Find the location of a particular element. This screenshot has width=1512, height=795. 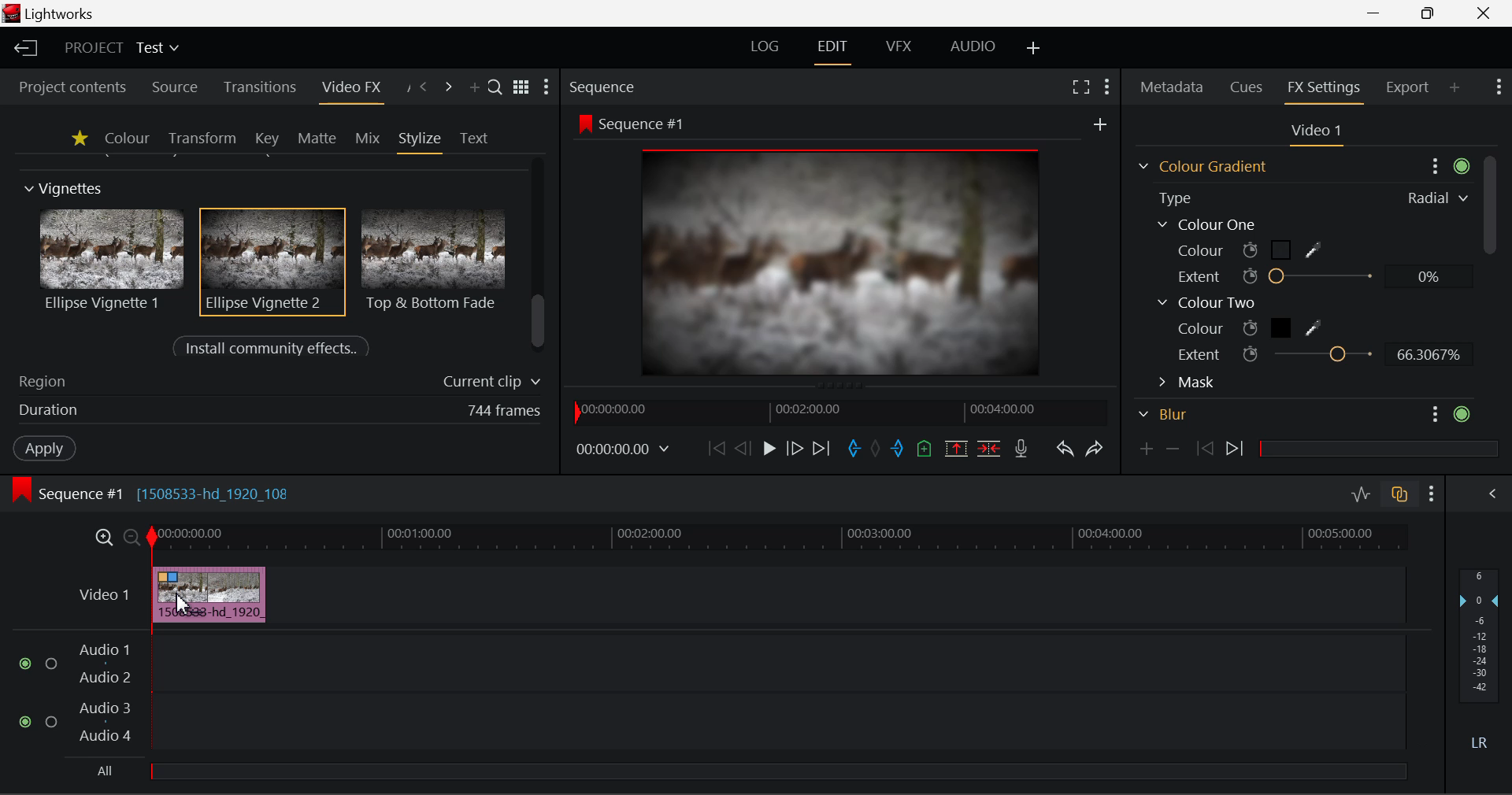

Show Settings is located at coordinates (1501, 89).